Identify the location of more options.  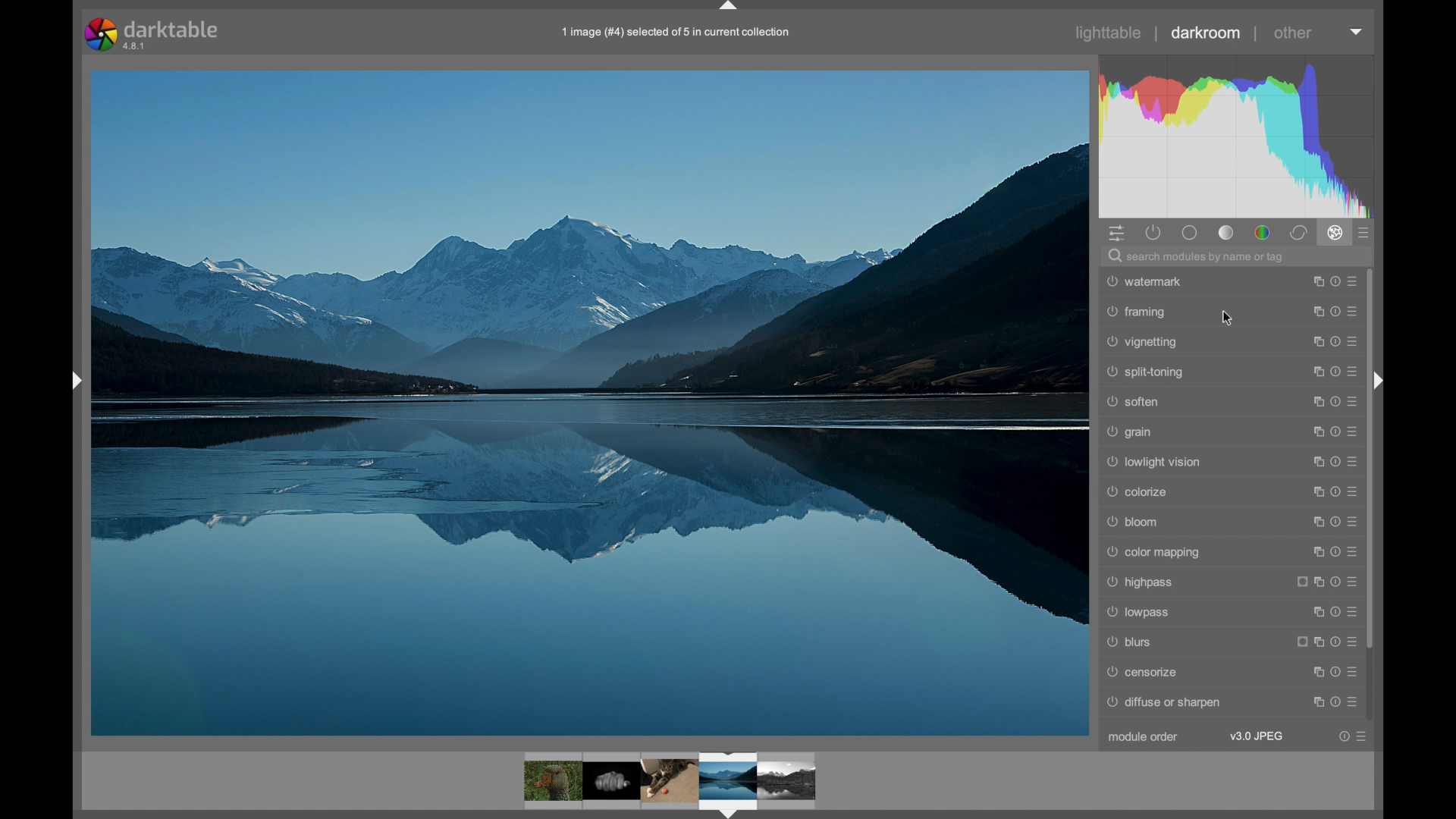
(1335, 552).